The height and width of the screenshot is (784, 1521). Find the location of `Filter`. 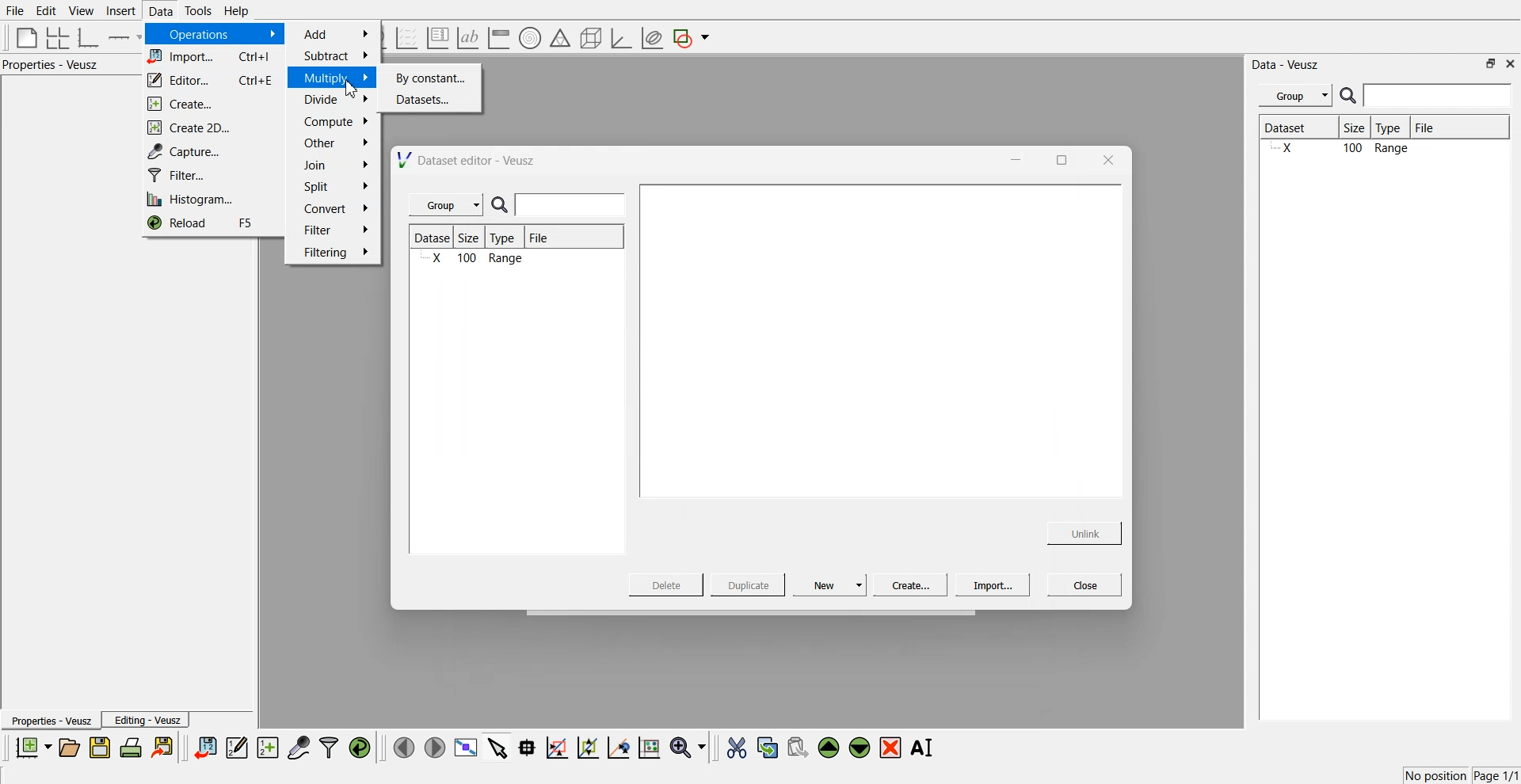

Filter is located at coordinates (335, 229).